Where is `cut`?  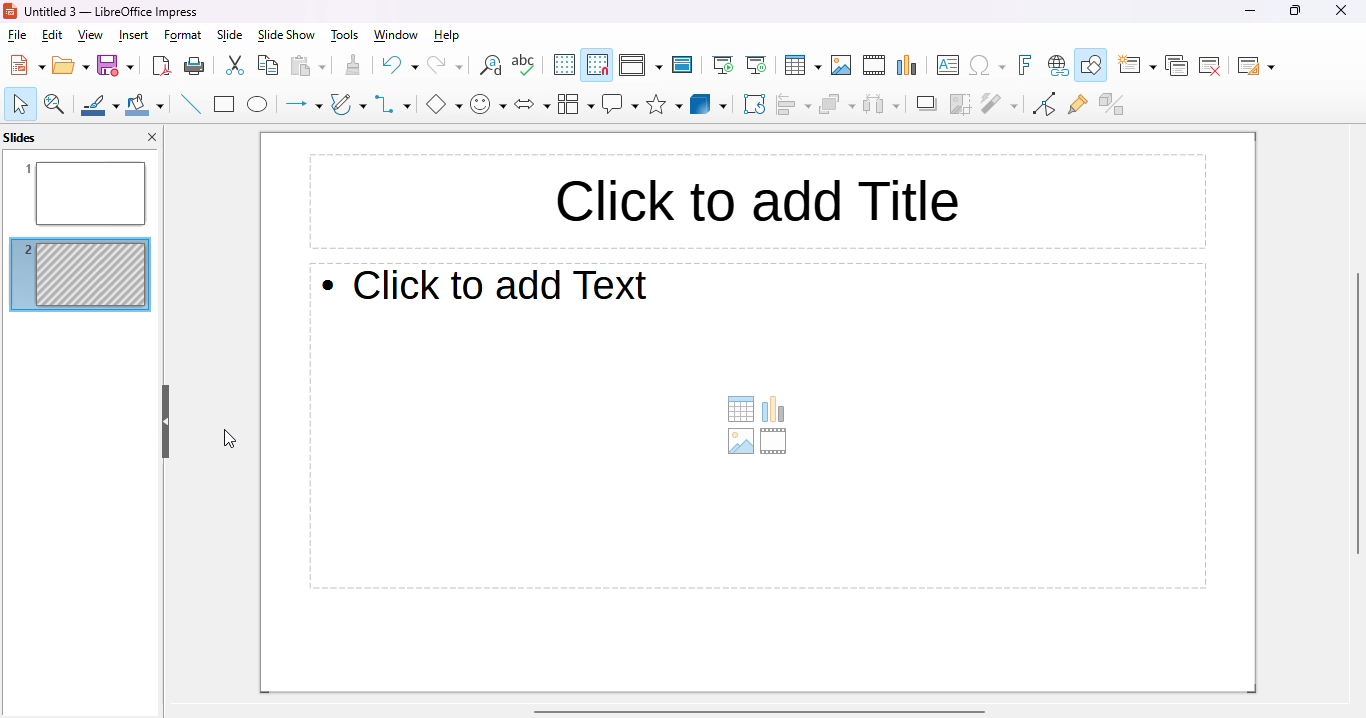 cut is located at coordinates (236, 66).